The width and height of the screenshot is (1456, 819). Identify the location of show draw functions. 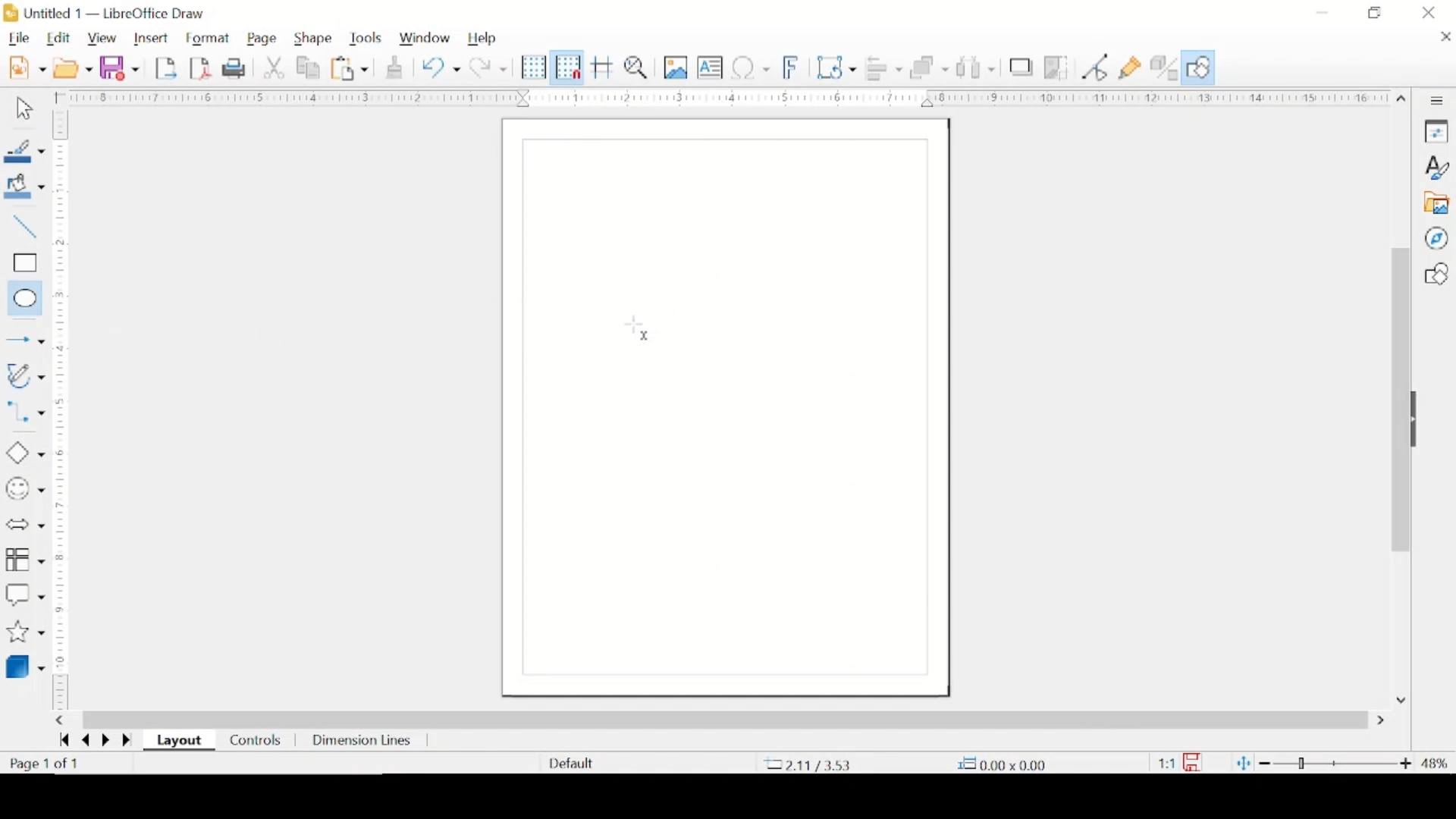
(1200, 67).